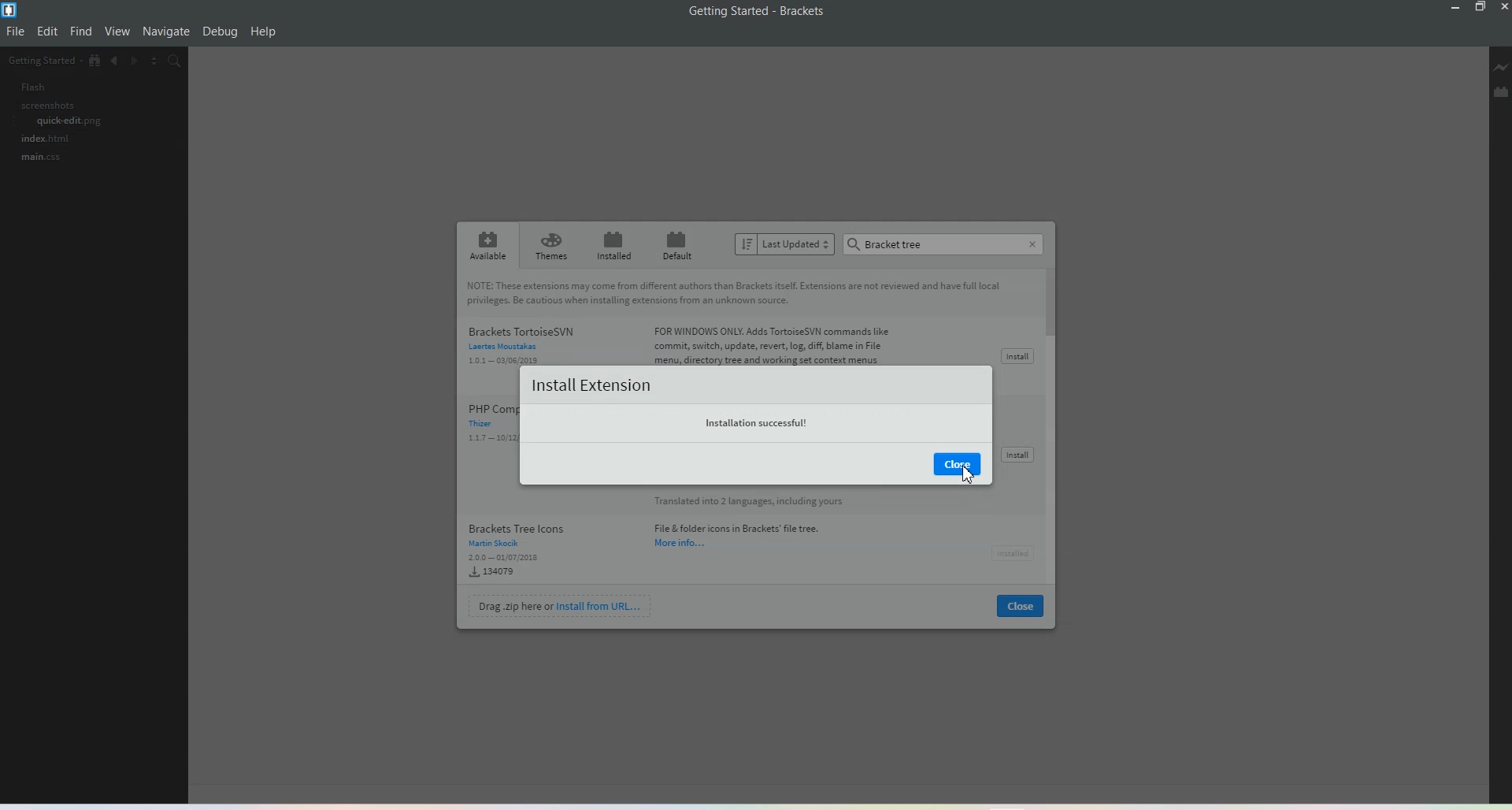  I want to click on Close, so click(1021, 607).